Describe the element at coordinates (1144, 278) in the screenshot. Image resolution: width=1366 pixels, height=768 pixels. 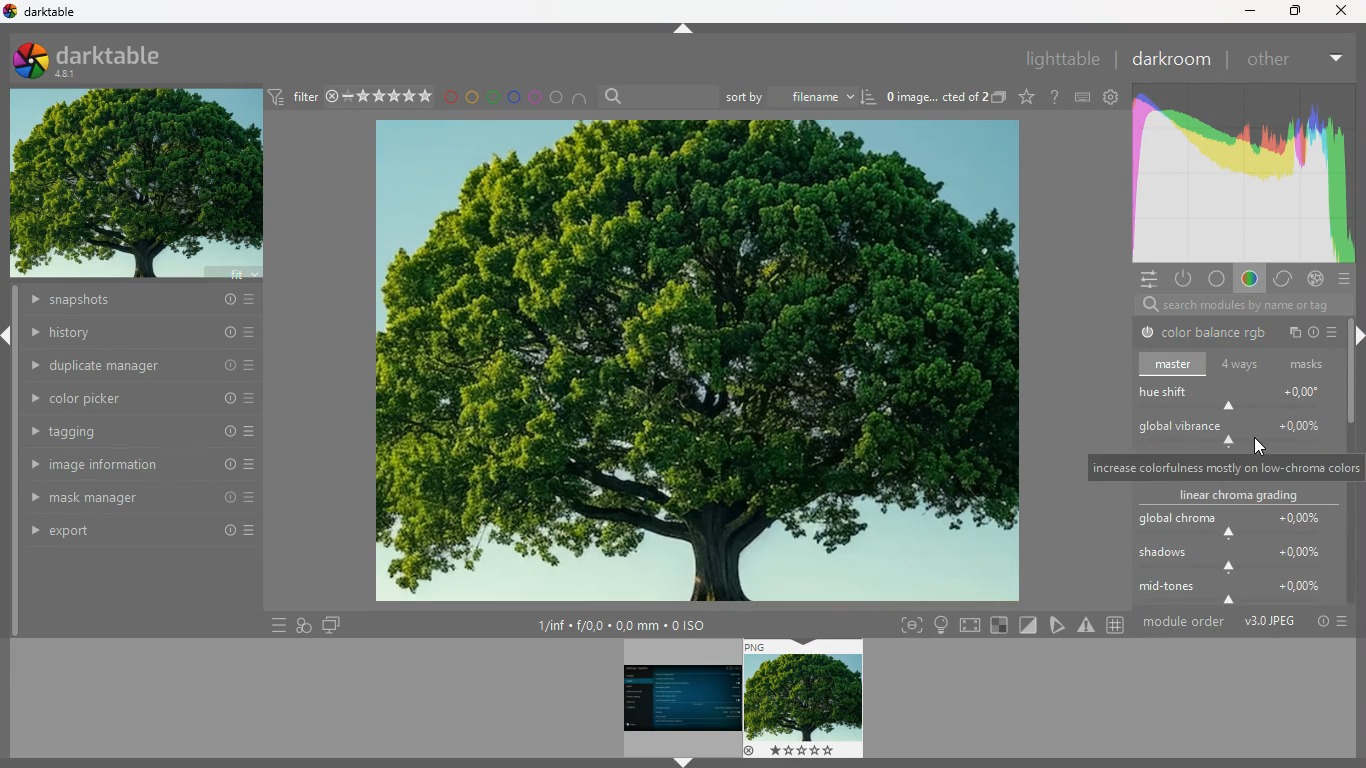
I see `settings` at that location.